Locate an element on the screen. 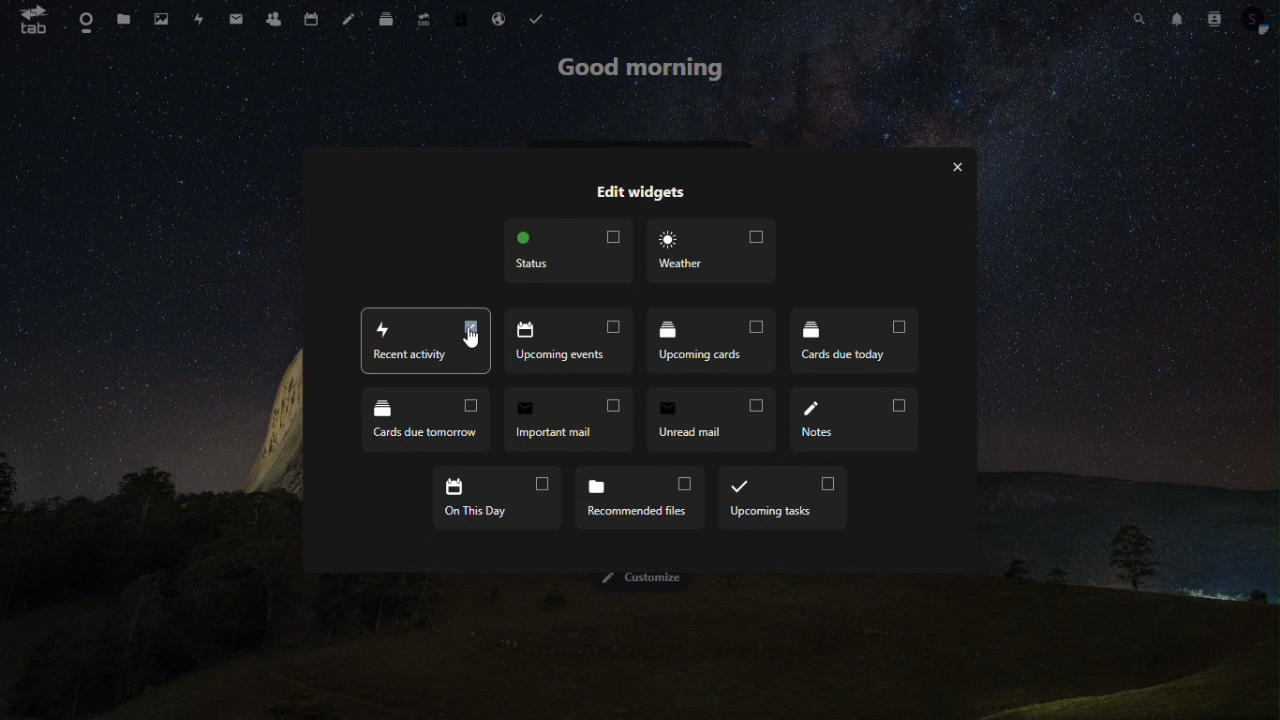   Customize is located at coordinates (646, 577).